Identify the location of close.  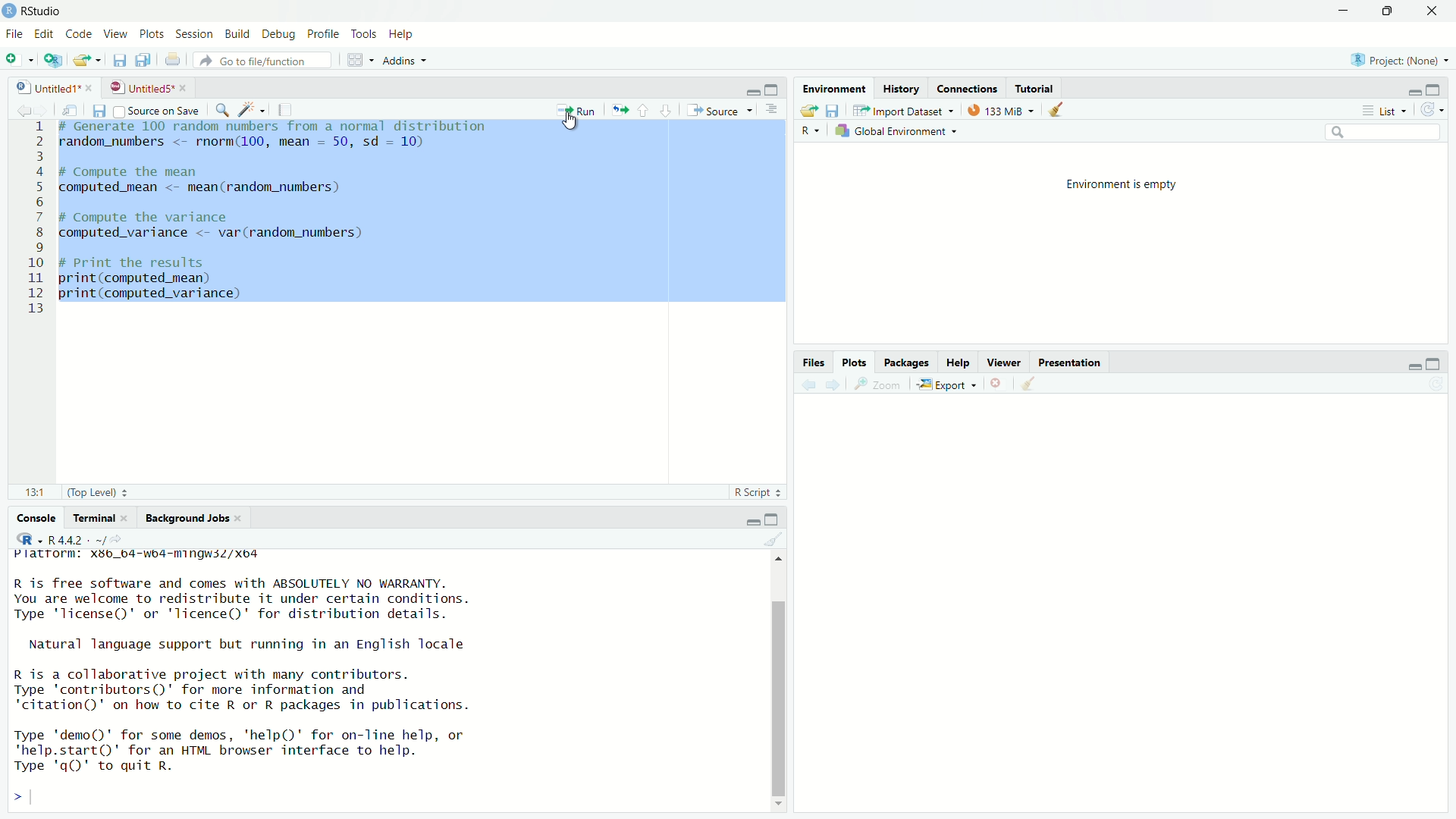
(185, 87).